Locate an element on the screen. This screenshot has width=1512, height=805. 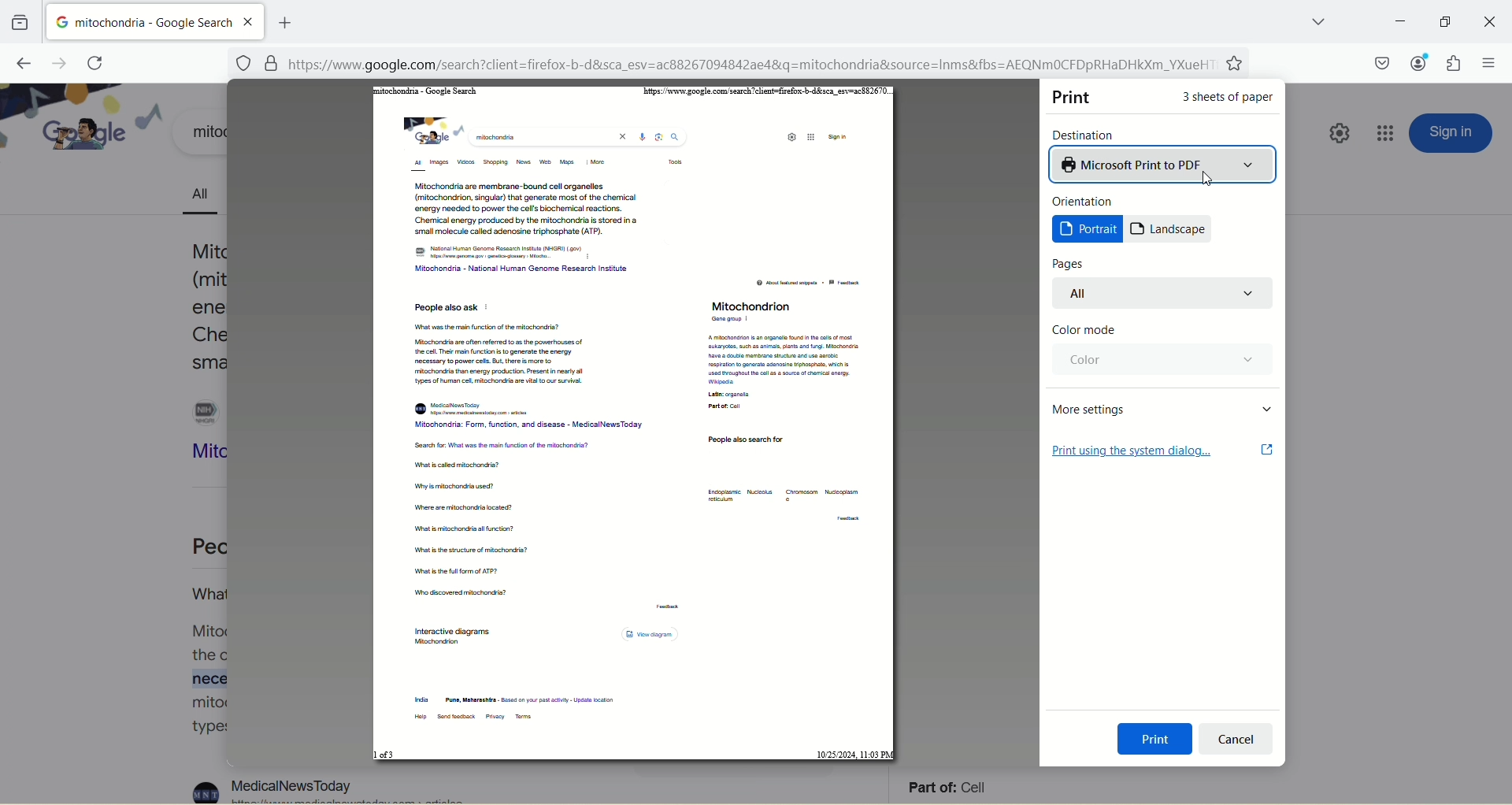
color is located at coordinates (1159, 360).